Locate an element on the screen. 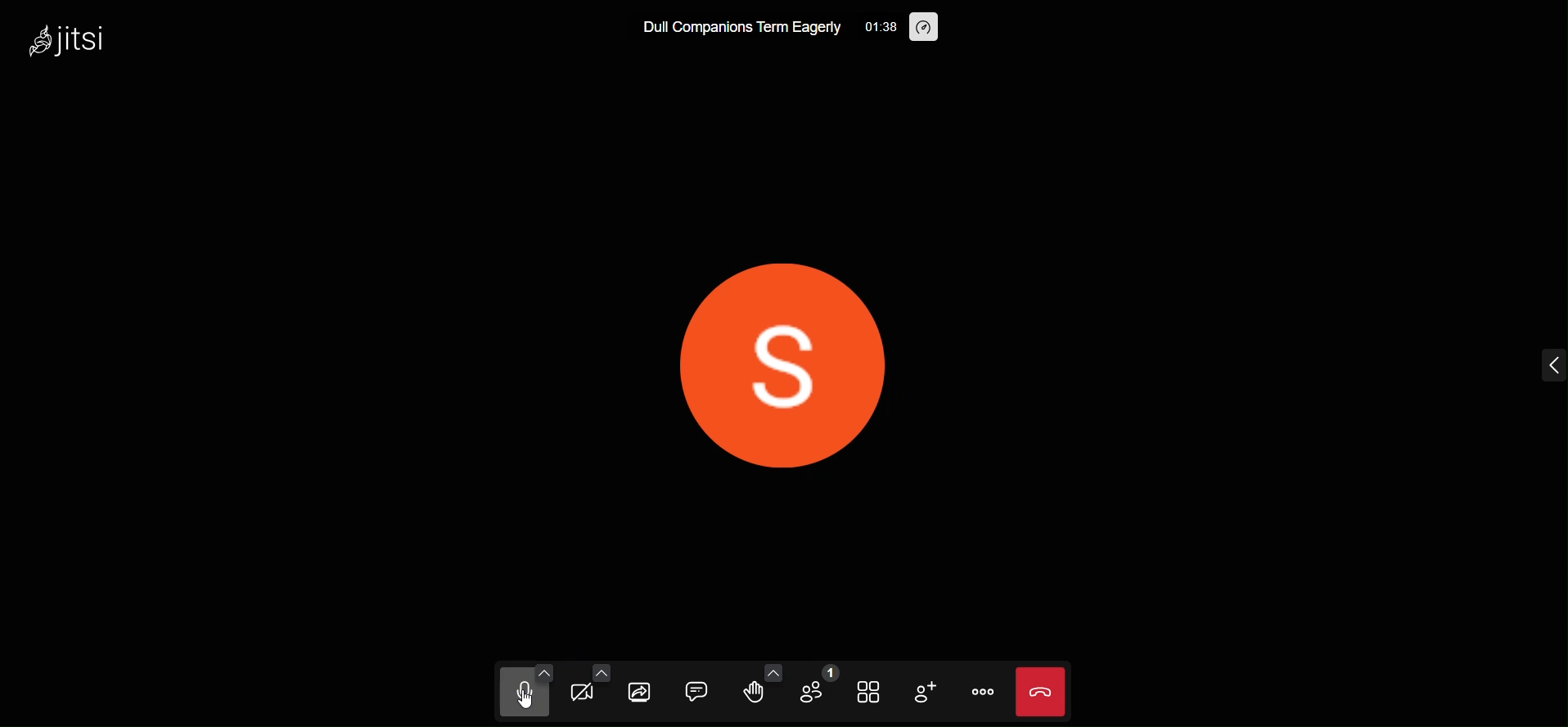 Image resolution: width=1568 pixels, height=727 pixels. chat is located at coordinates (695, 689).